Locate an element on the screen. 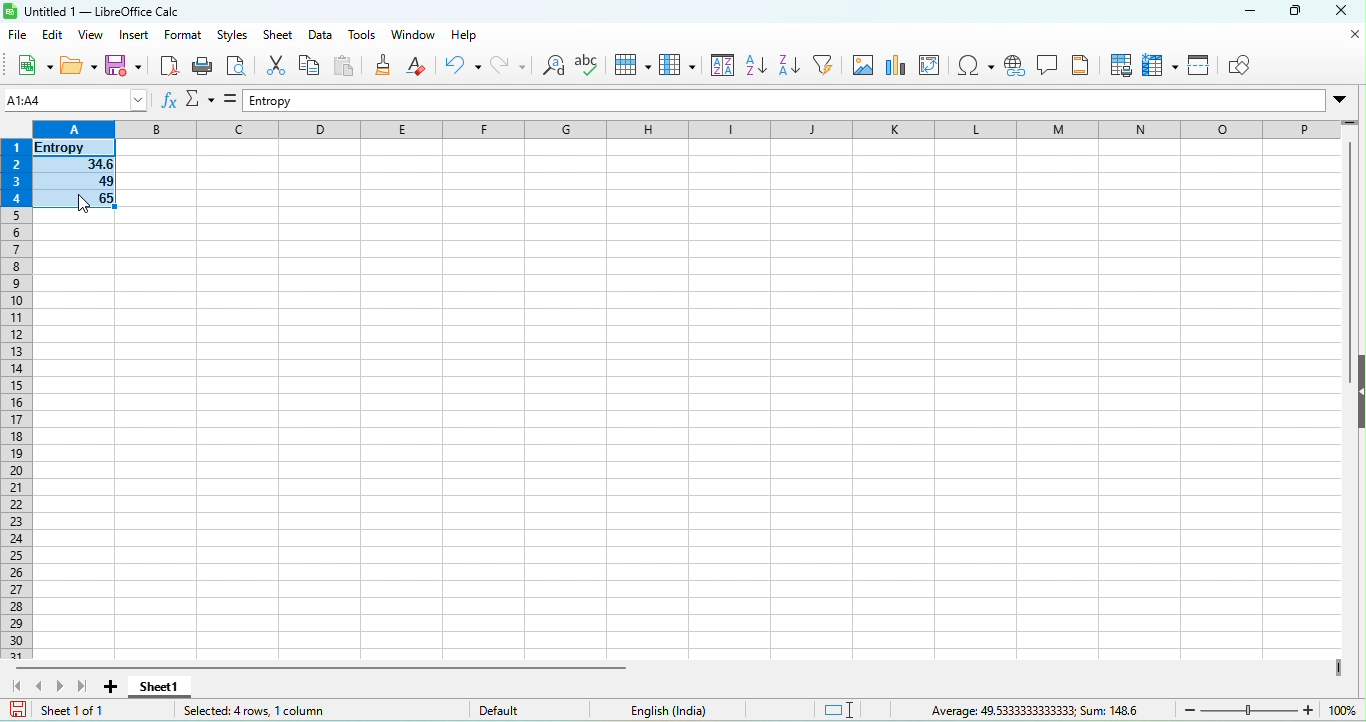 This screenshot has width=1366, height=722. minimize is located at coordinates (1248, 13).